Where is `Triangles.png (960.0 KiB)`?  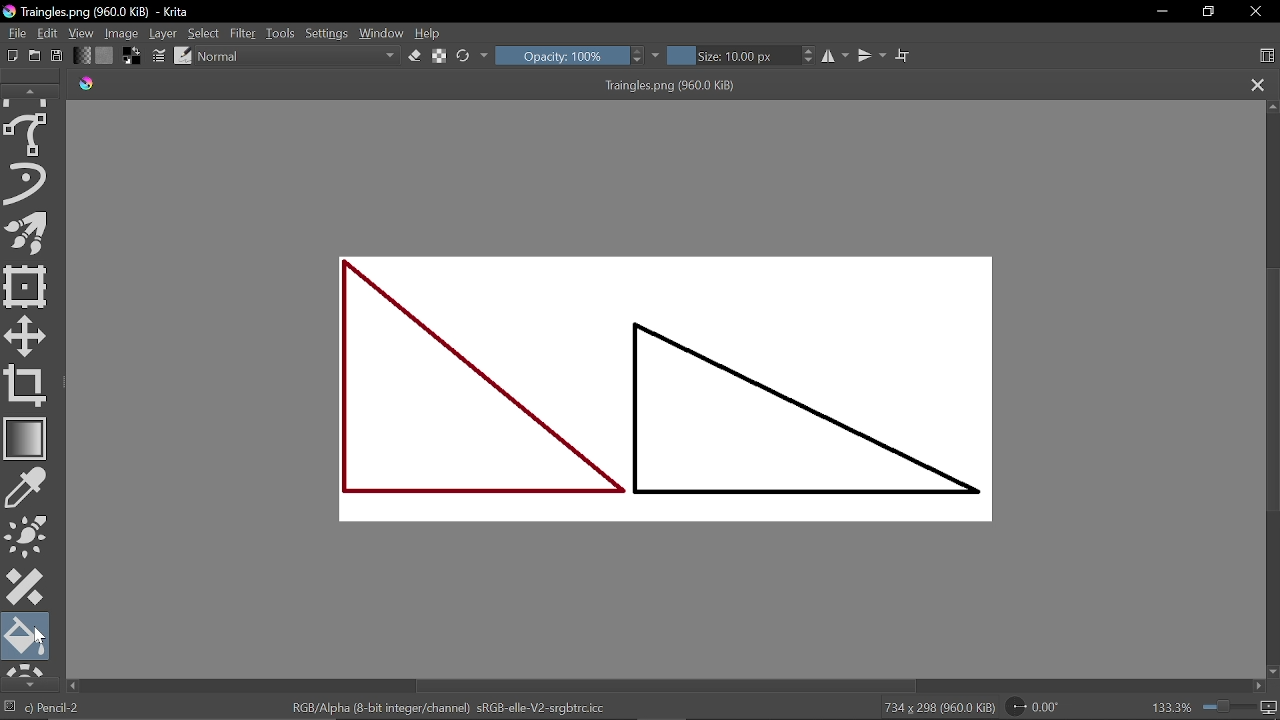
Triangles.png (960.0 KiB) is located at coordinates (678, 87).